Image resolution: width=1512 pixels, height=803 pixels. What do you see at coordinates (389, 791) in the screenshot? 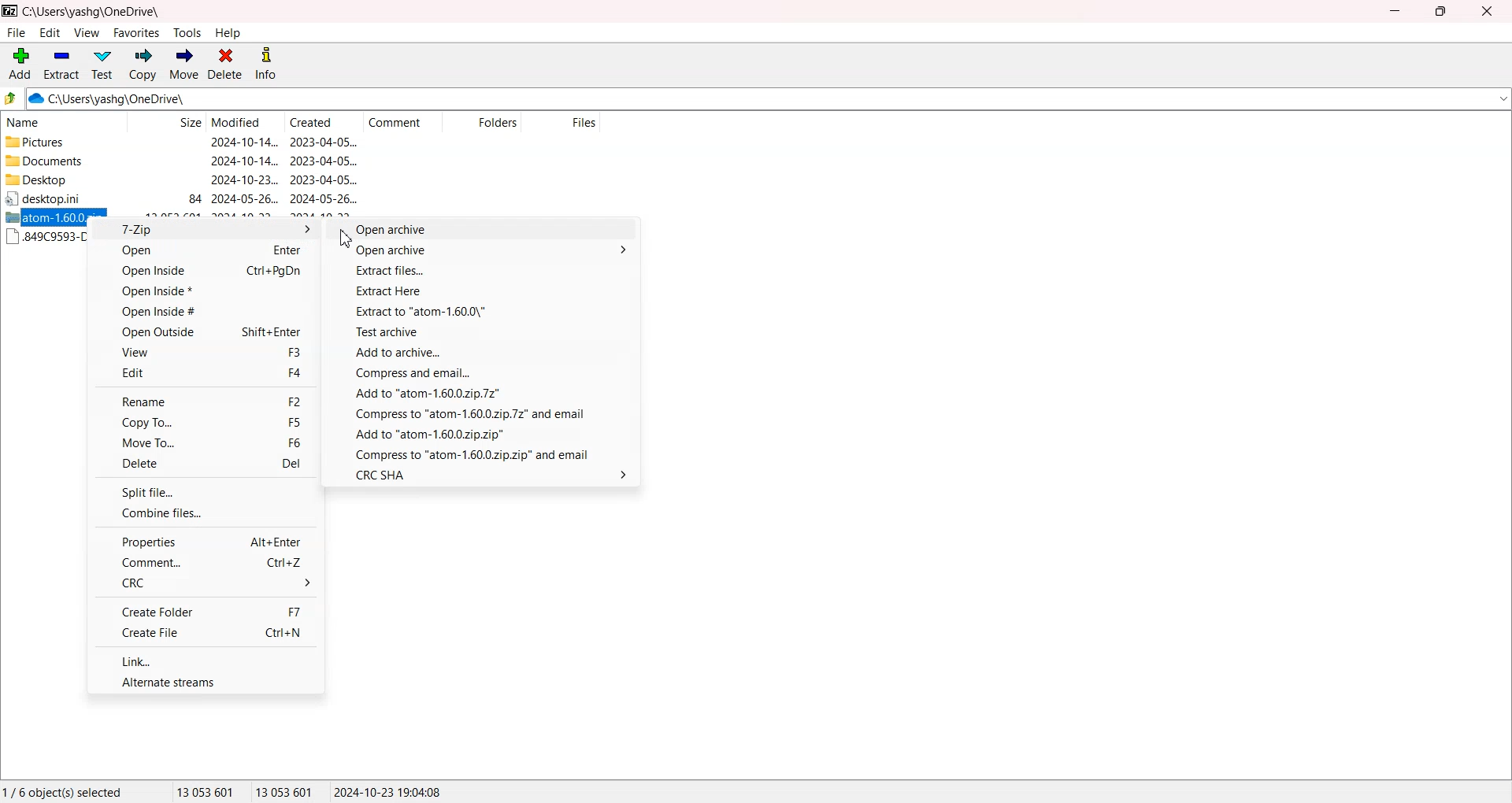
I see `2024-10-23 19:04:08` at bounding box center [389, 791].